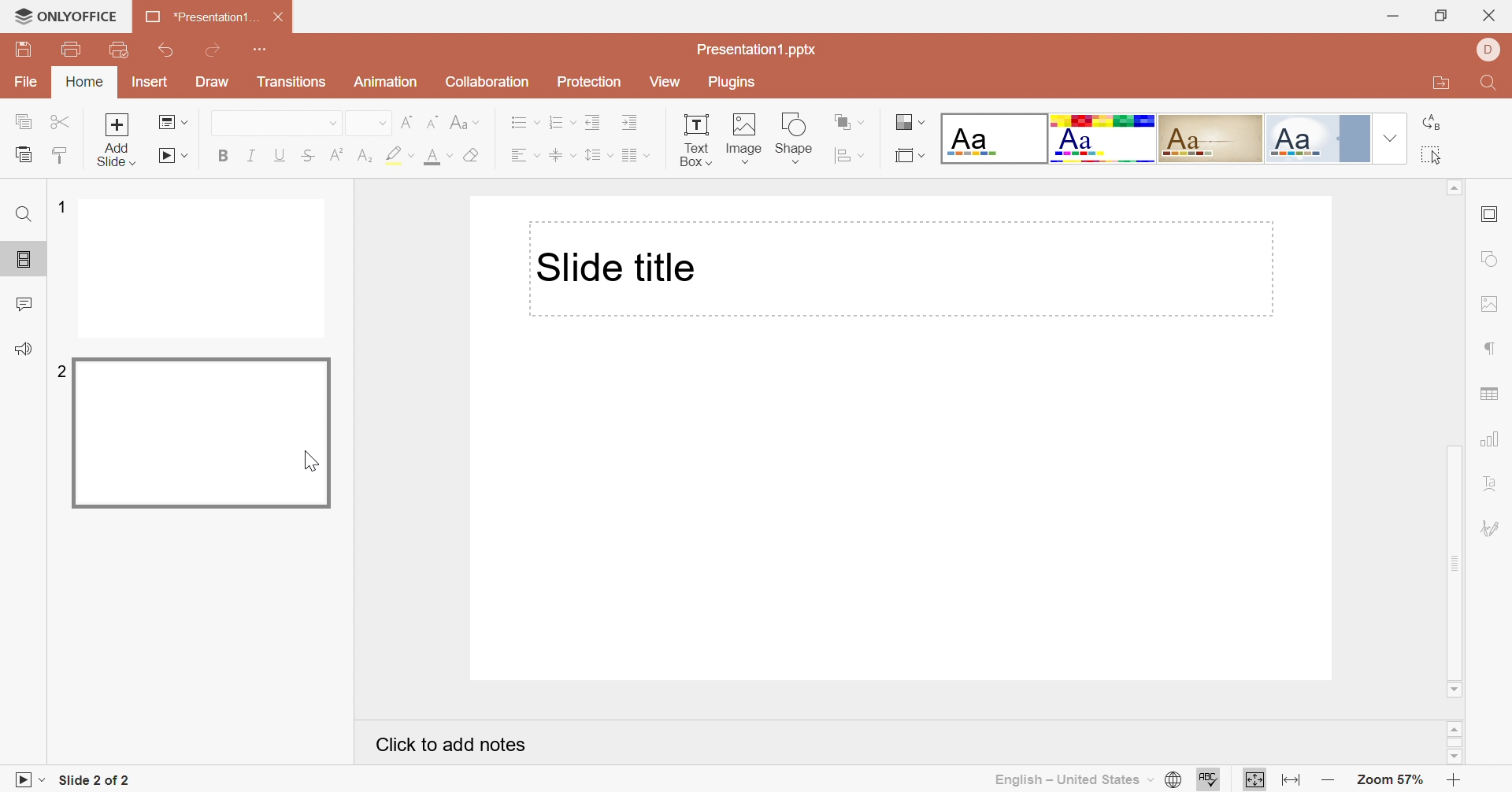 The height and width of the screenshot is (792, 1512). What do you see at coordinates (473, 154) in the screenshot?
I see `Clear Style` at bounding box center [473, 154].